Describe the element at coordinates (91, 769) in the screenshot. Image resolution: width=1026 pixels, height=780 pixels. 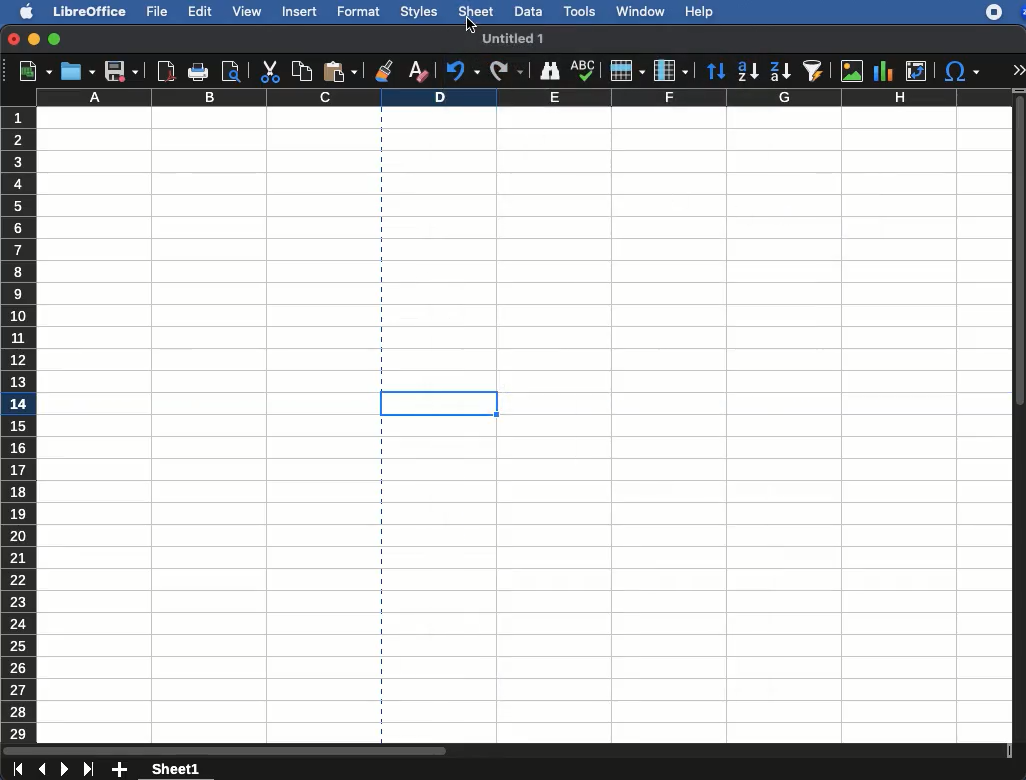
I see `last sheet` at that location.